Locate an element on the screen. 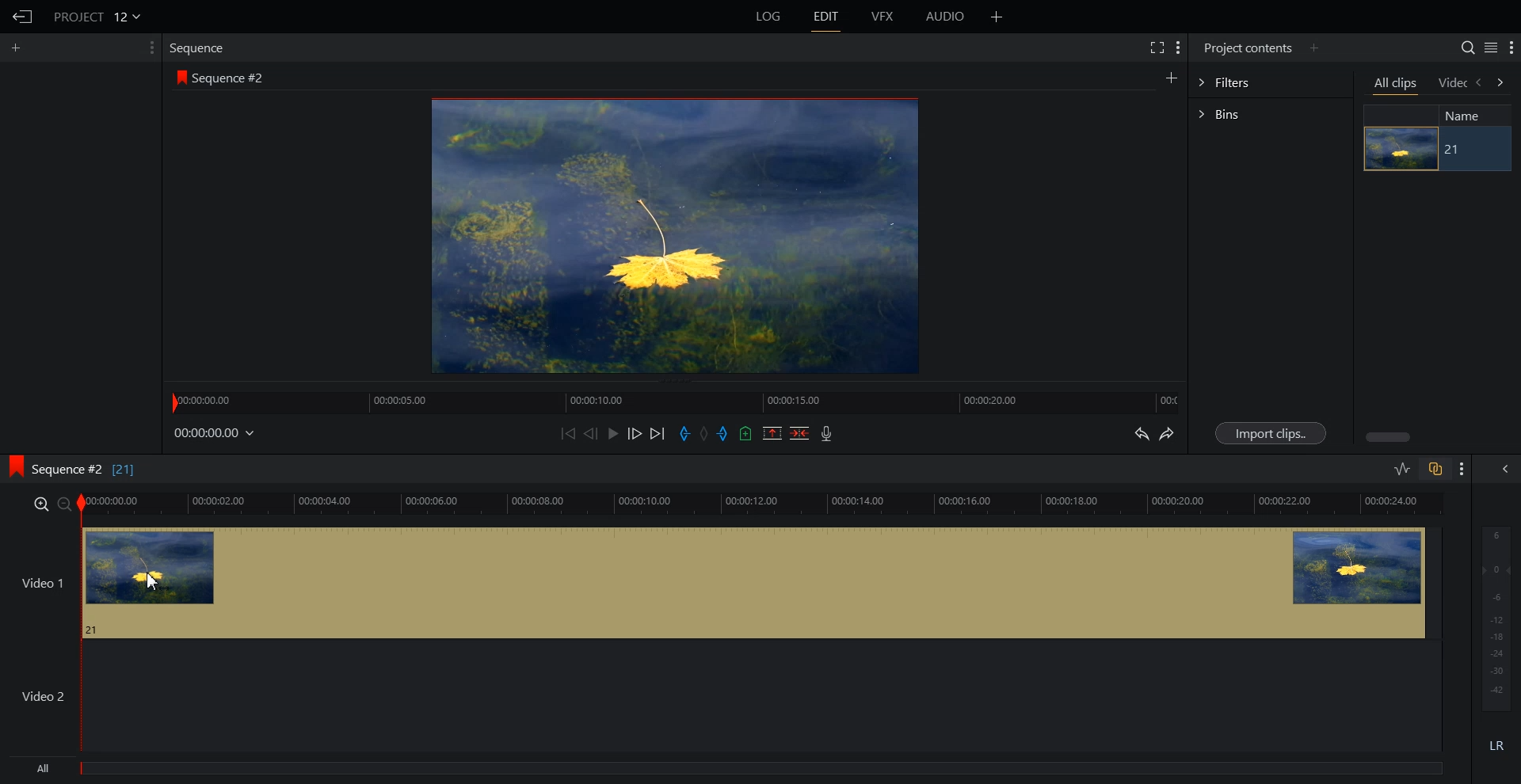 This screenshot has width=1521, height=784. Sequence #2 [21] is located at coordinates (87, 467).